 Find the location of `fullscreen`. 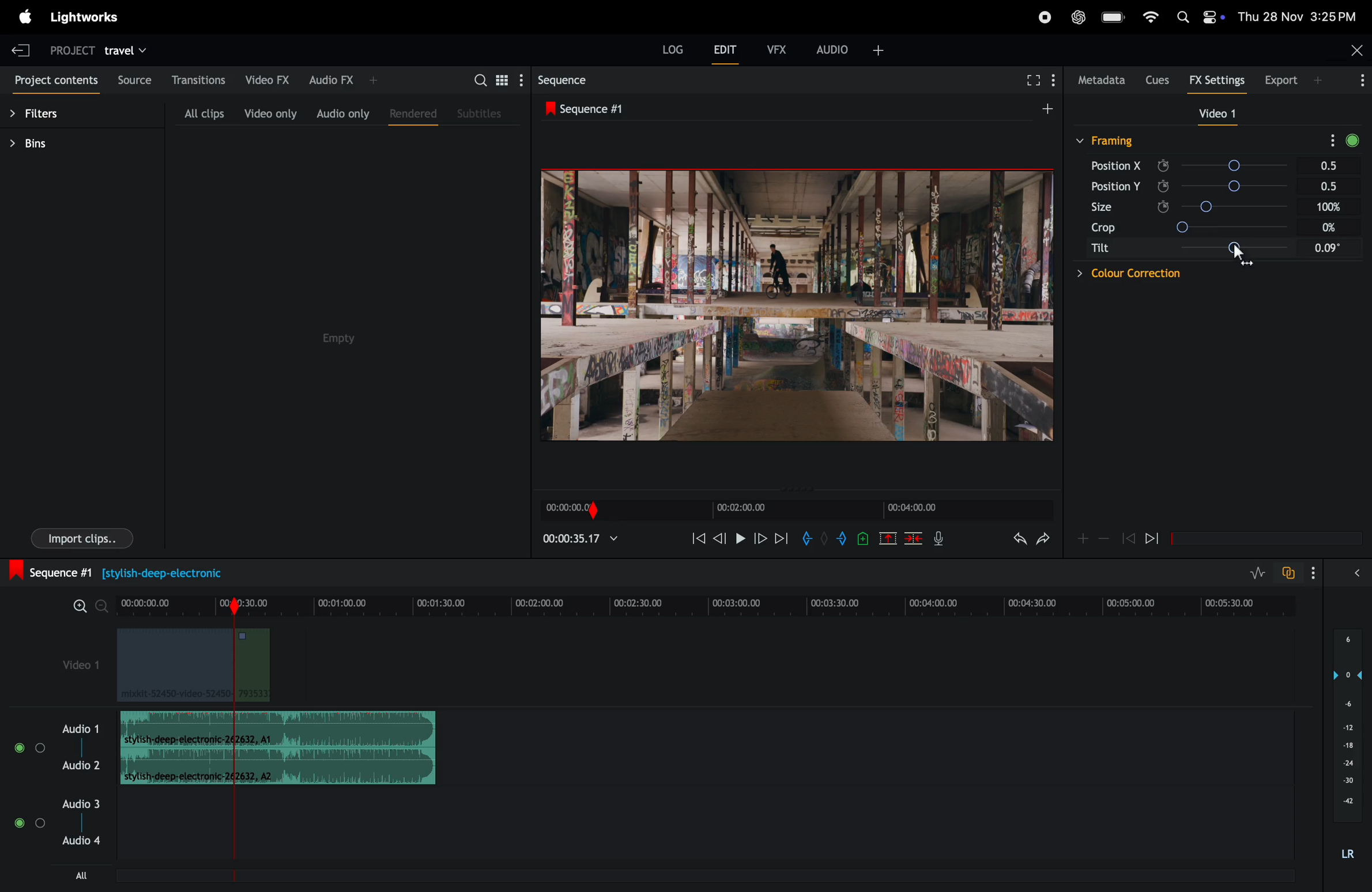

fullscreen is located at coordinates (1032, 82).